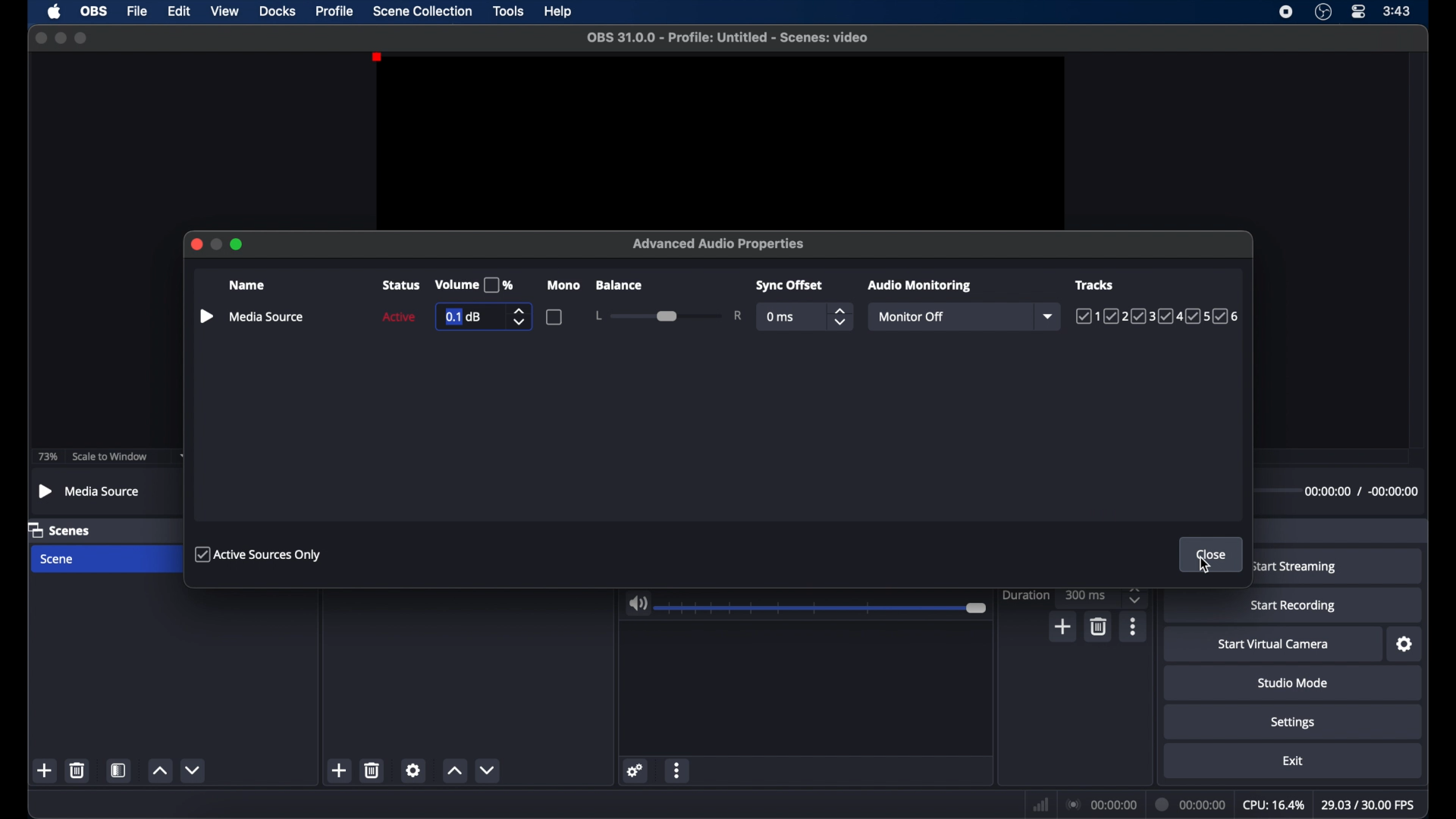 This screenshot has width=1456, height=819. Describe the element at coordinates (1191, 805) in the screenshot. I see `00:00:00` at that location.